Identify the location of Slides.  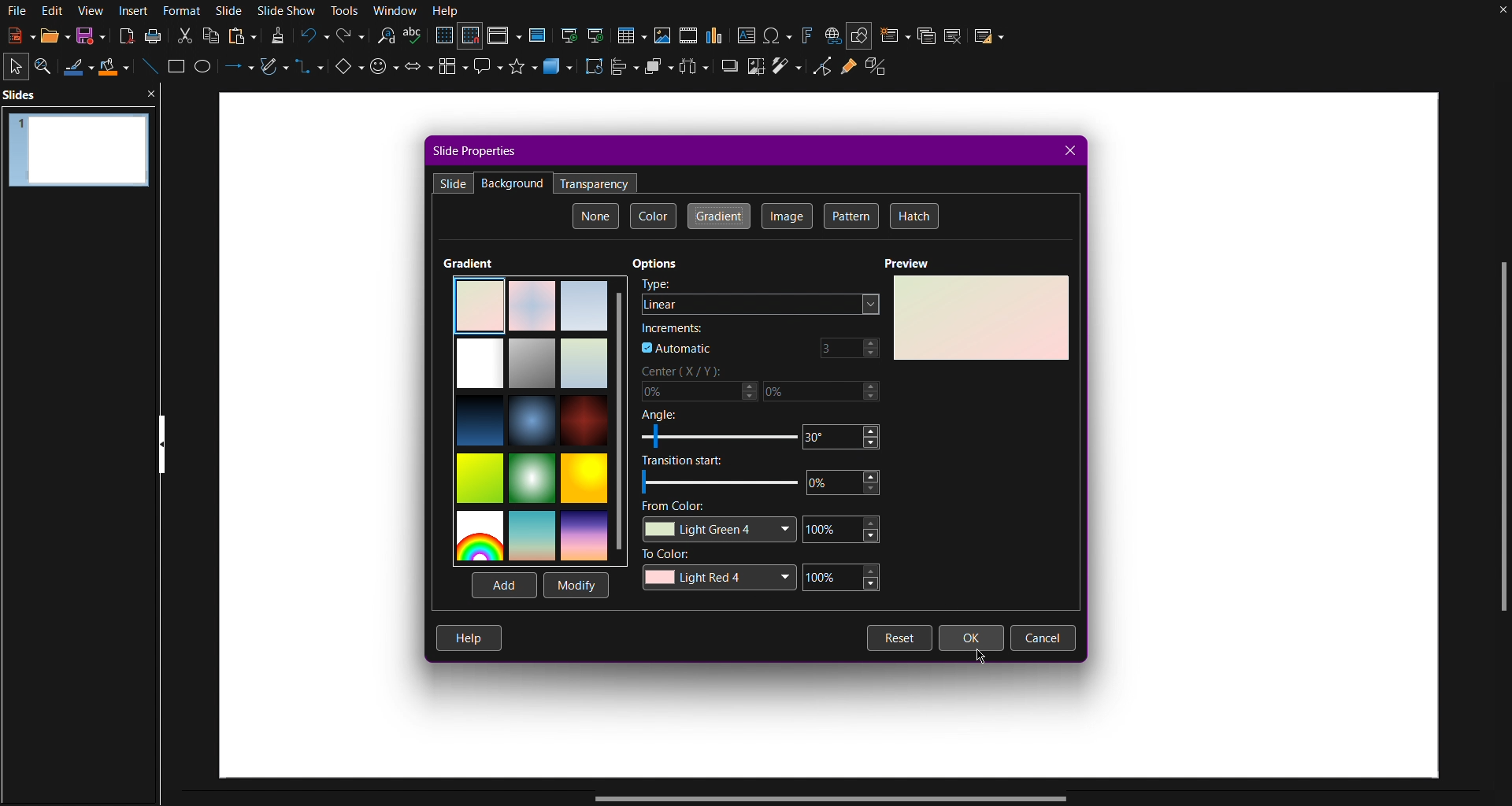
(24, 94).